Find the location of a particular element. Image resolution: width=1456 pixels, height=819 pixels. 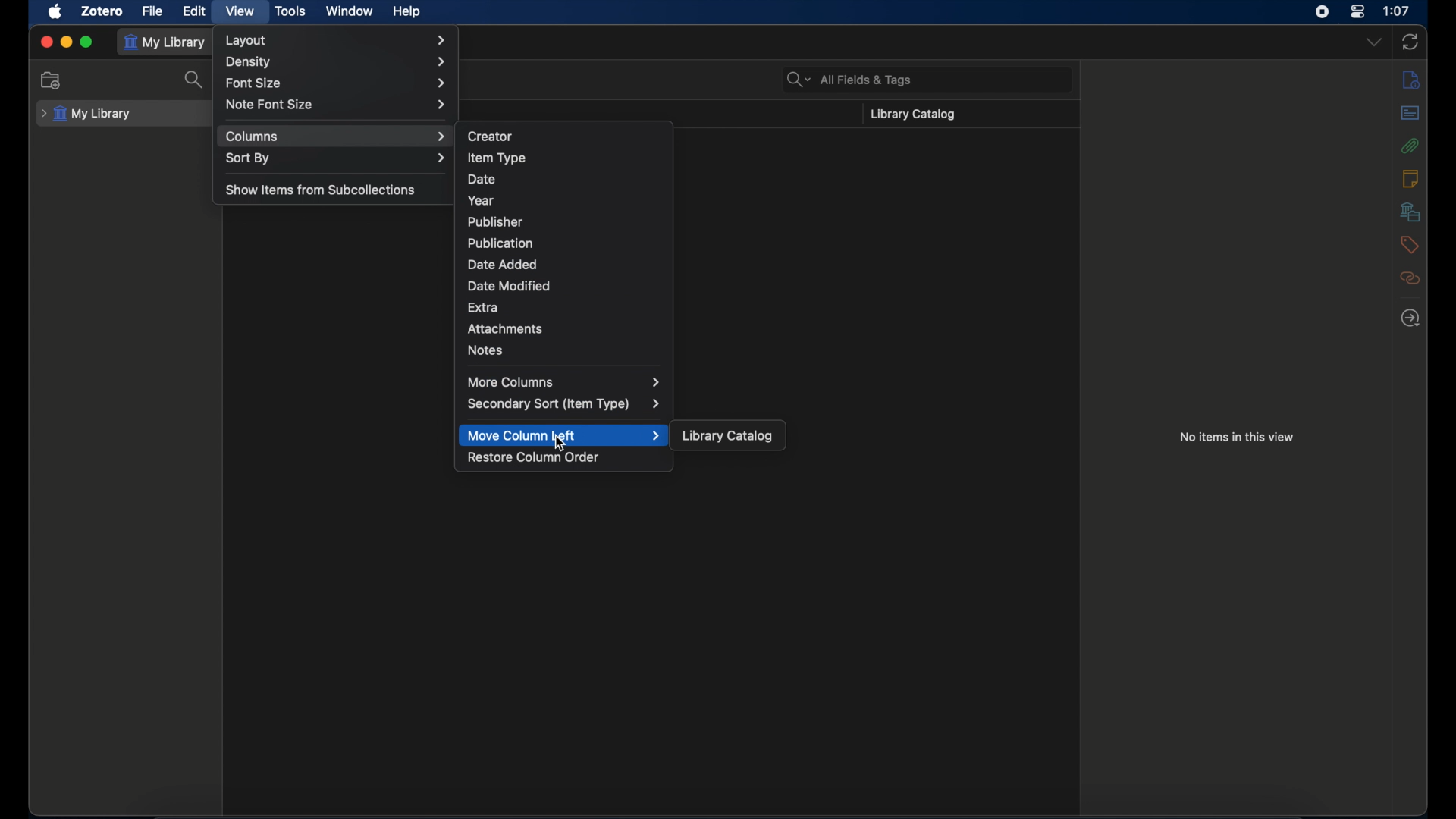

sort by is located at coordinates (336, 158).